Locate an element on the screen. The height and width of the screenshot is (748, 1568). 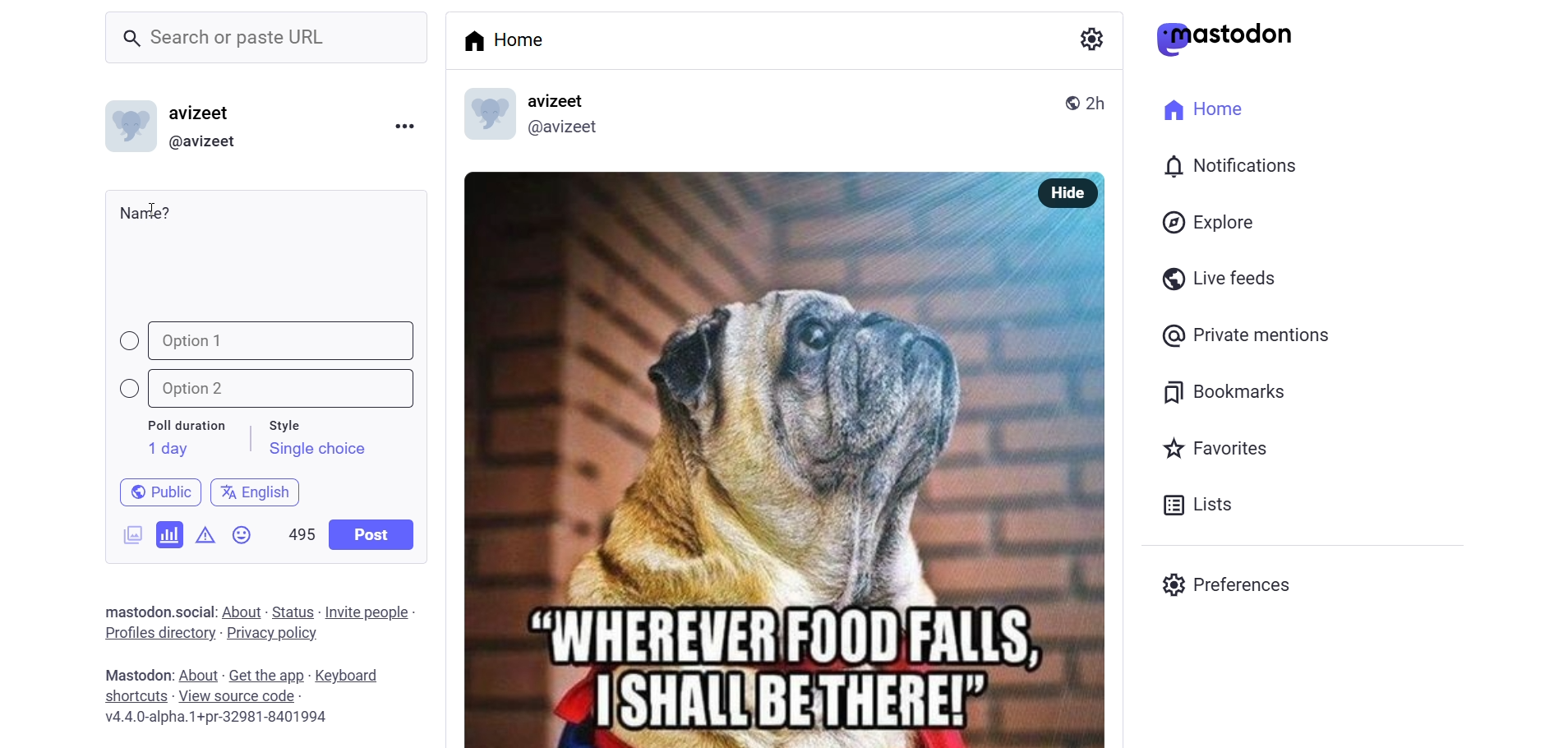
1 day is located at coordinates (165, 449).